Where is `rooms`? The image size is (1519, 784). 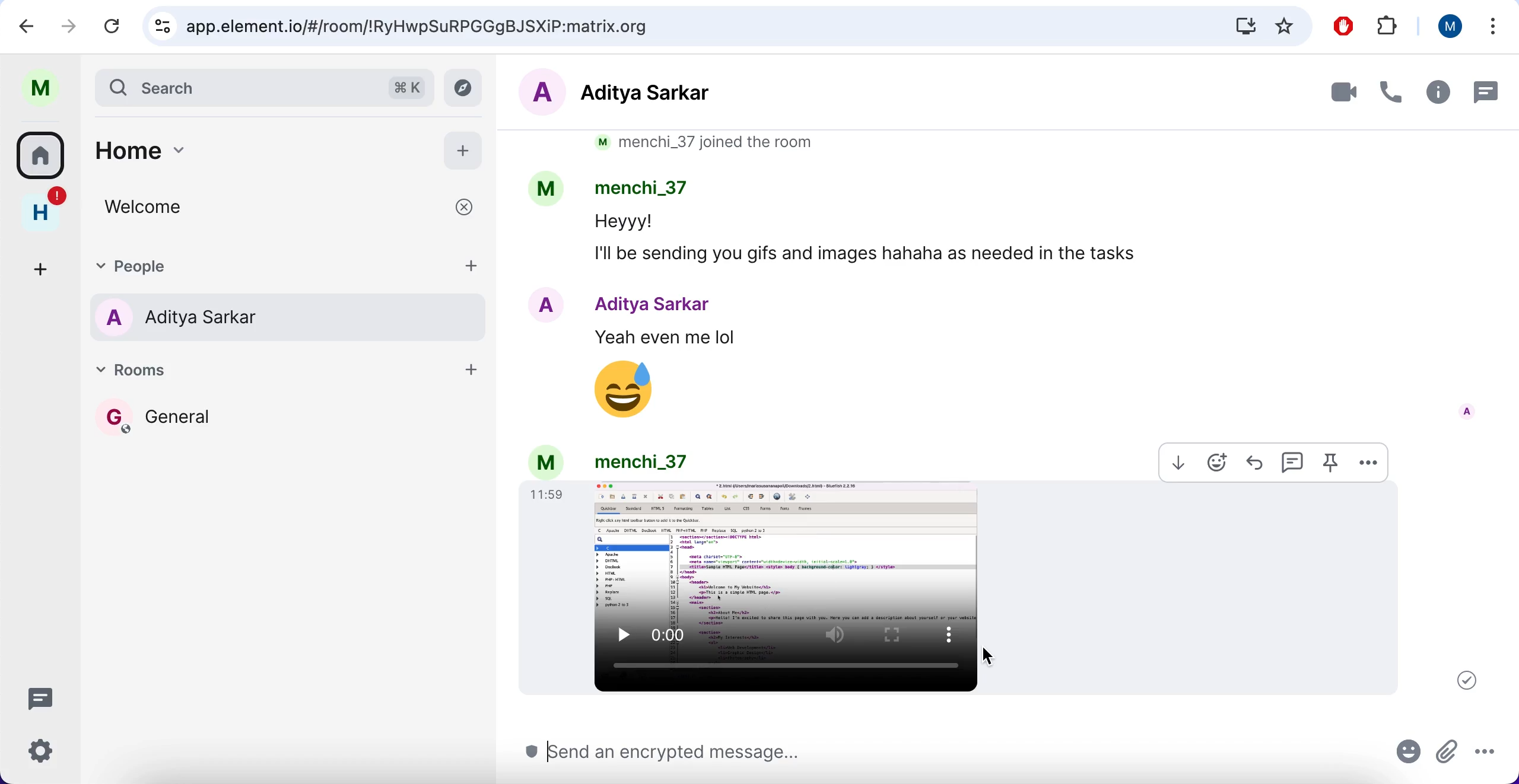 rooms is located at coordinates (267, 374).